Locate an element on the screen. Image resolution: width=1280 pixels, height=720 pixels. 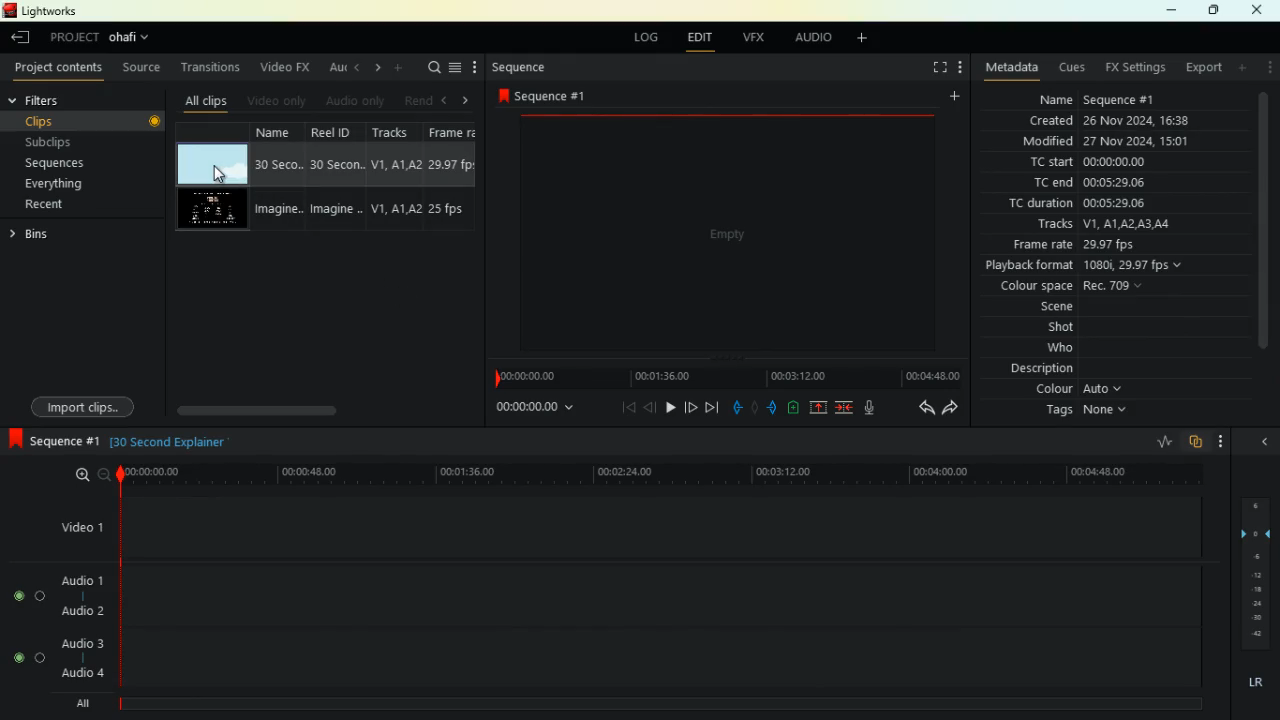
beggining is located at coordinates (624, 407).